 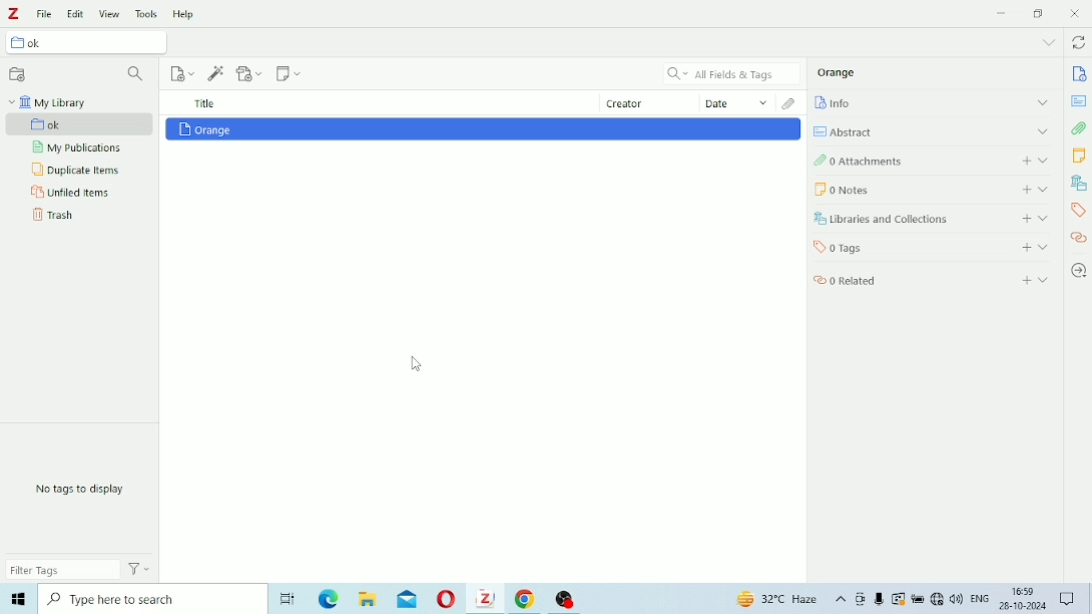 What do you see at coordinates (841, 600) in the screenshot?
I see `Show hidden icons` at bounding box center [841, 600].